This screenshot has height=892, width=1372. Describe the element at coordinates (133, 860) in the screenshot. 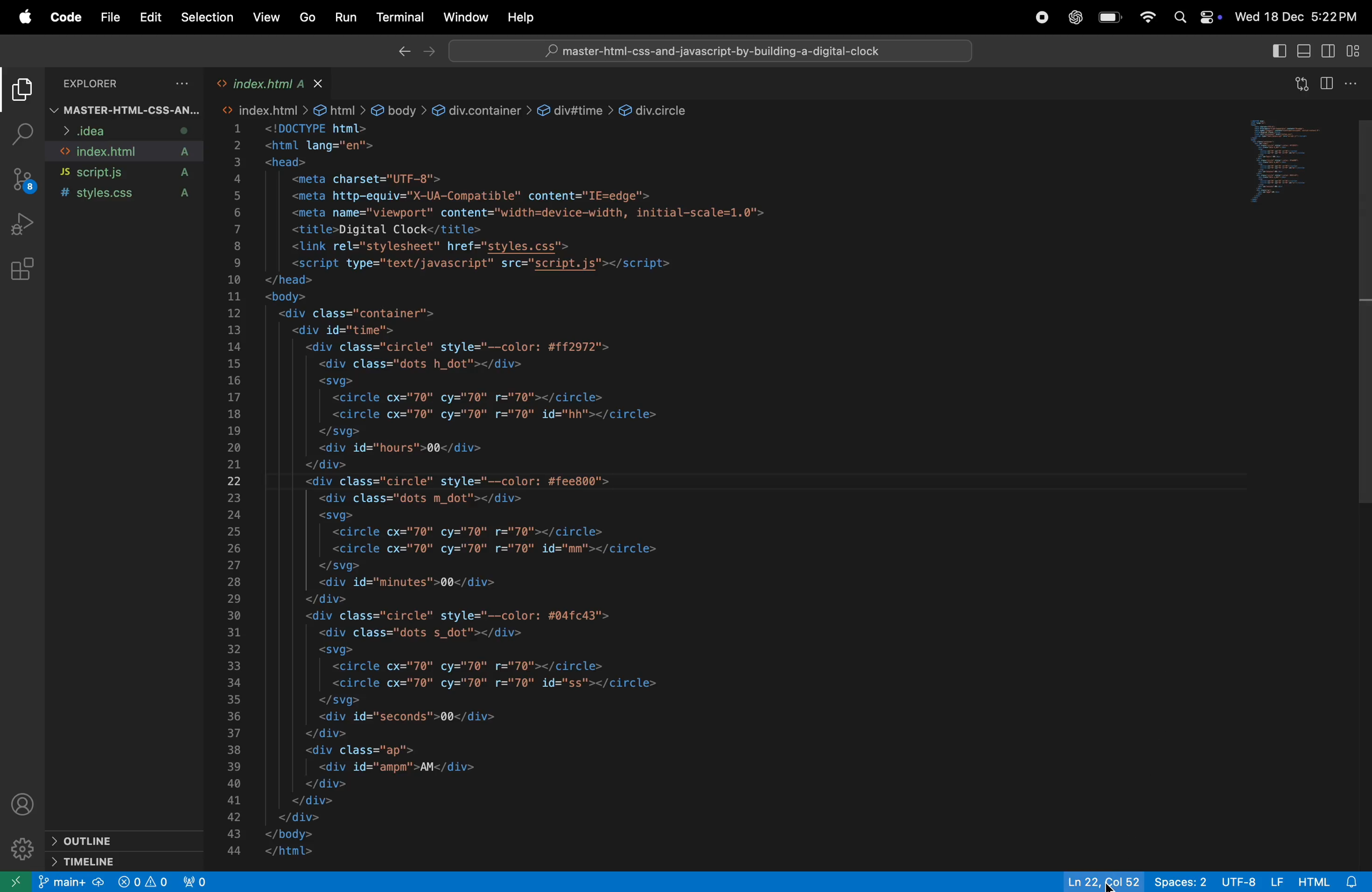

I see `time line` at that location.